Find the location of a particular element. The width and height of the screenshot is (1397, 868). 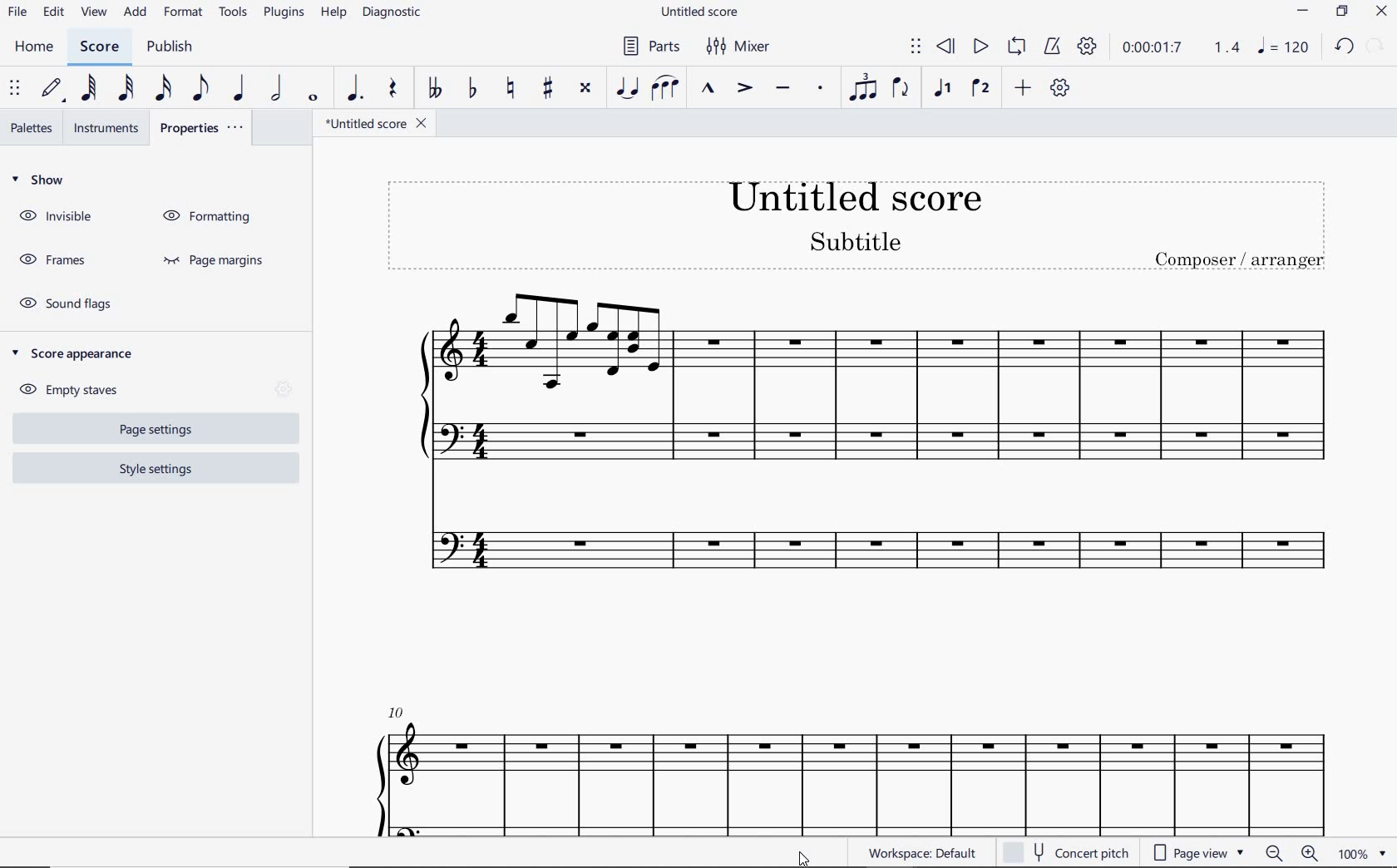

CUSTOMIZE TOOLBAR is located at coordinates (1059, 88).